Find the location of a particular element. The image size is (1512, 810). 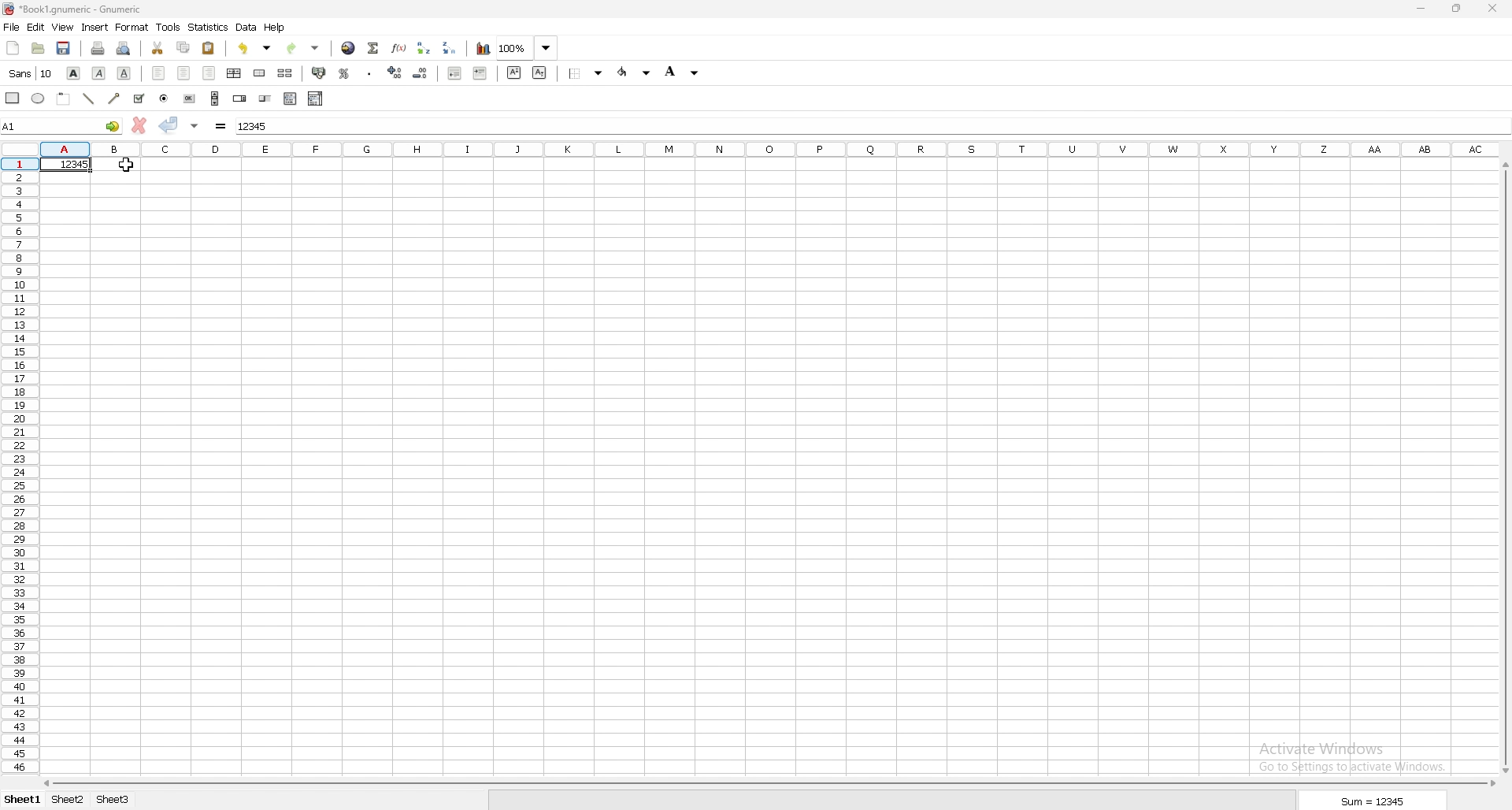

format is located at coordinates (132, 28).